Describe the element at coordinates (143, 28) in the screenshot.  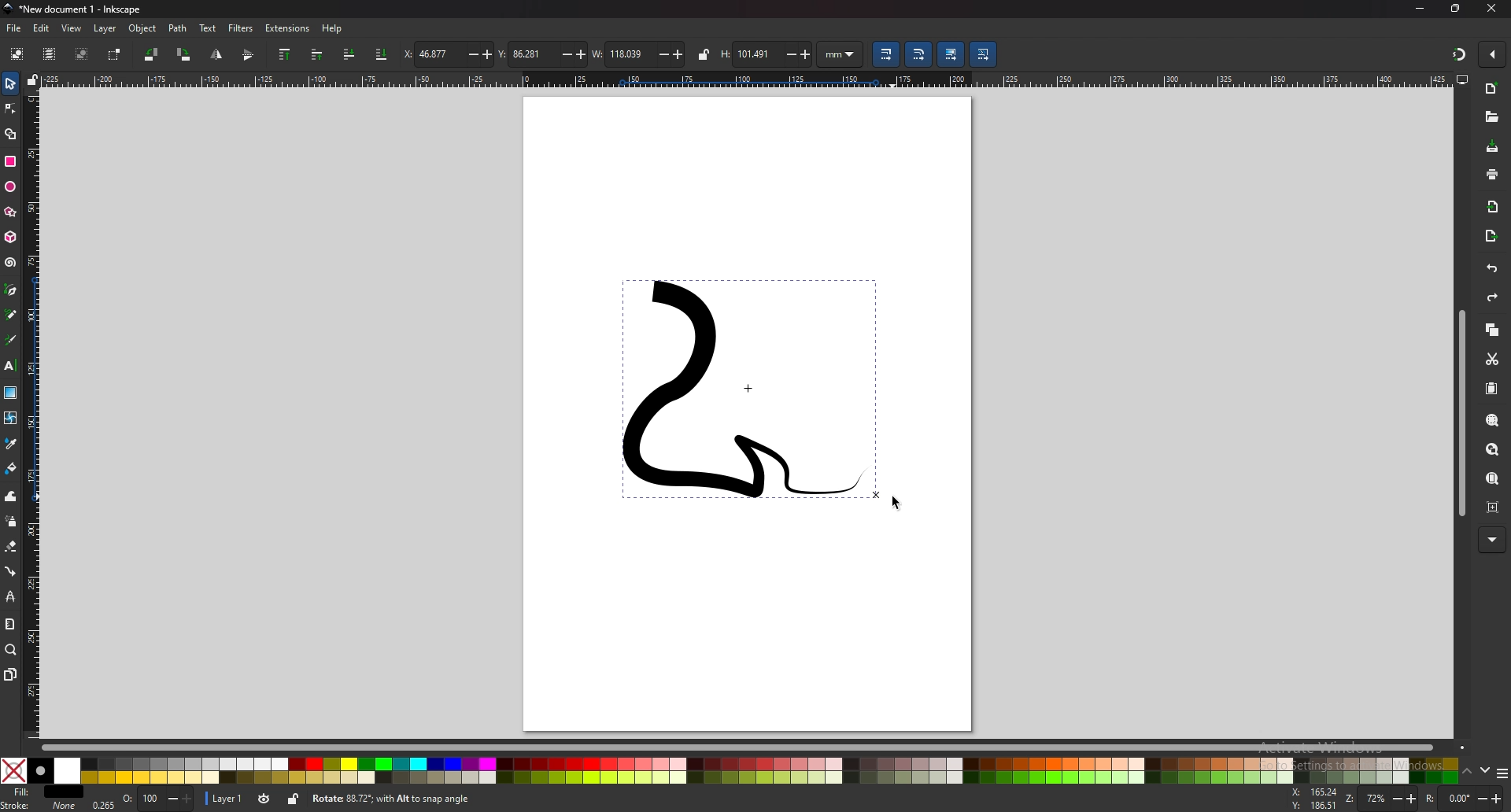
I see `object` at that location.